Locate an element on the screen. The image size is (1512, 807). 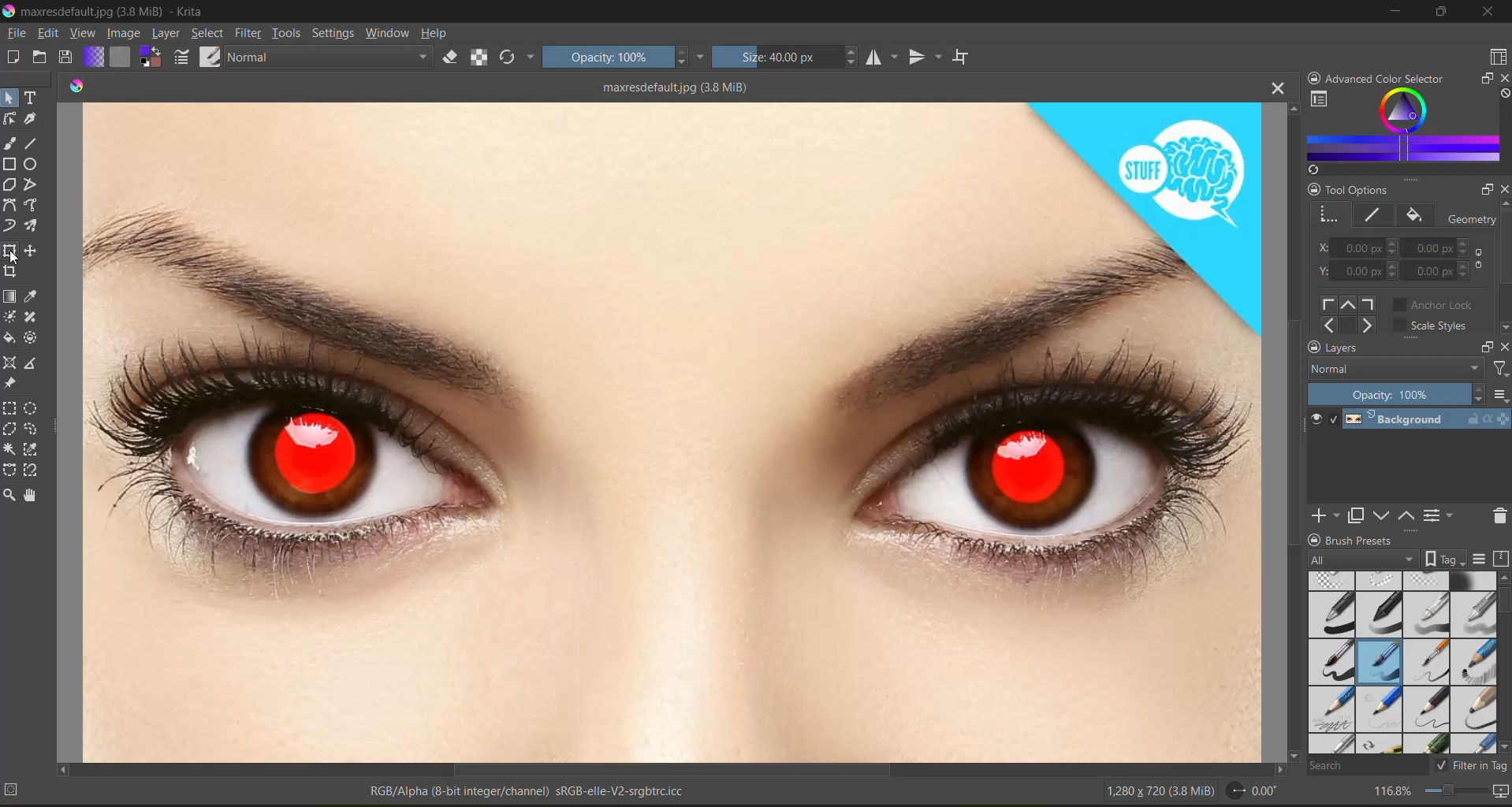
tool is located at coordinates (32, 363).